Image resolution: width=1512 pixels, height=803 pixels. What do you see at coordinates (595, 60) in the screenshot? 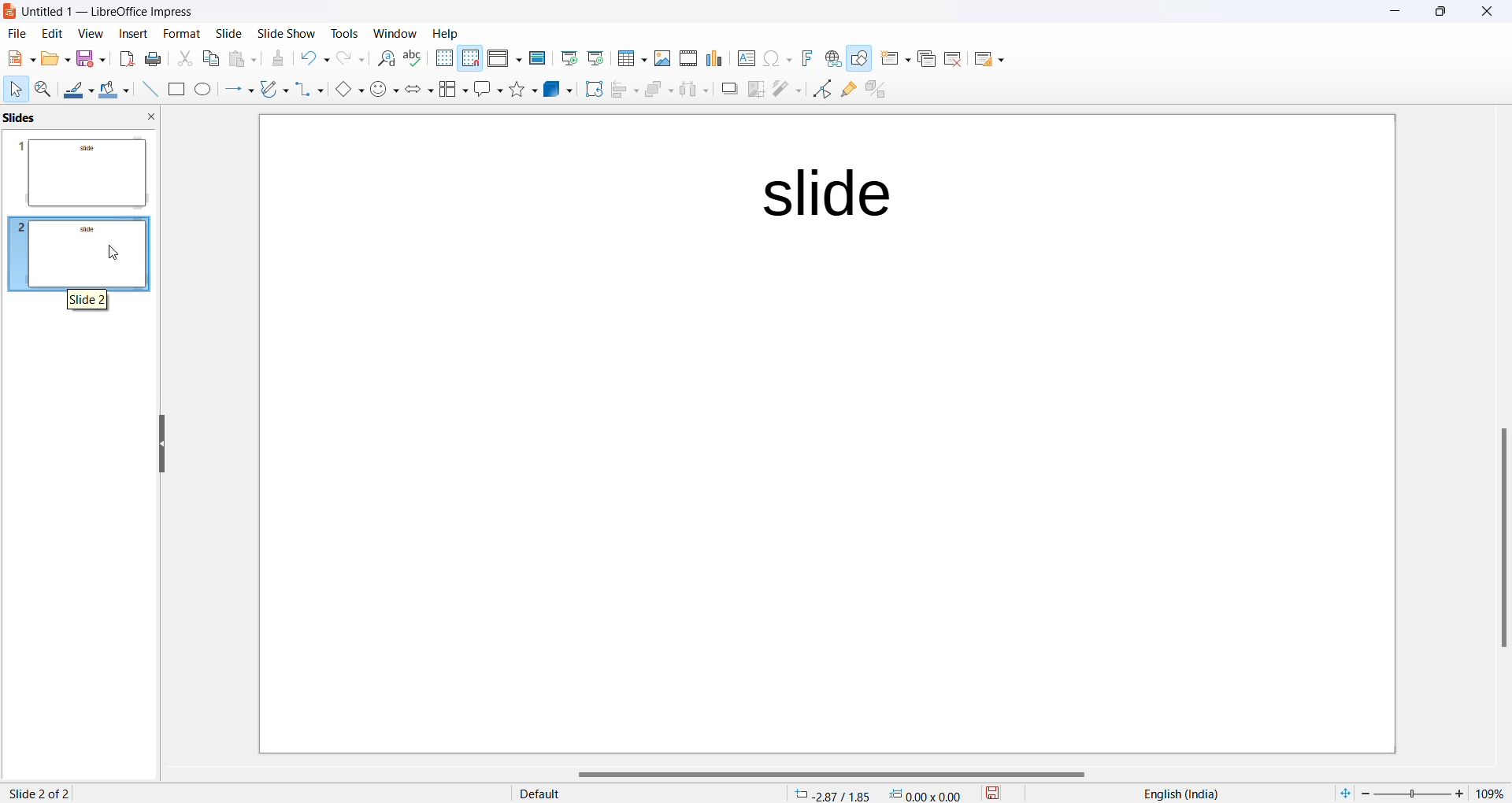
I see `Start from current slide` at bounding box center [595, 60].